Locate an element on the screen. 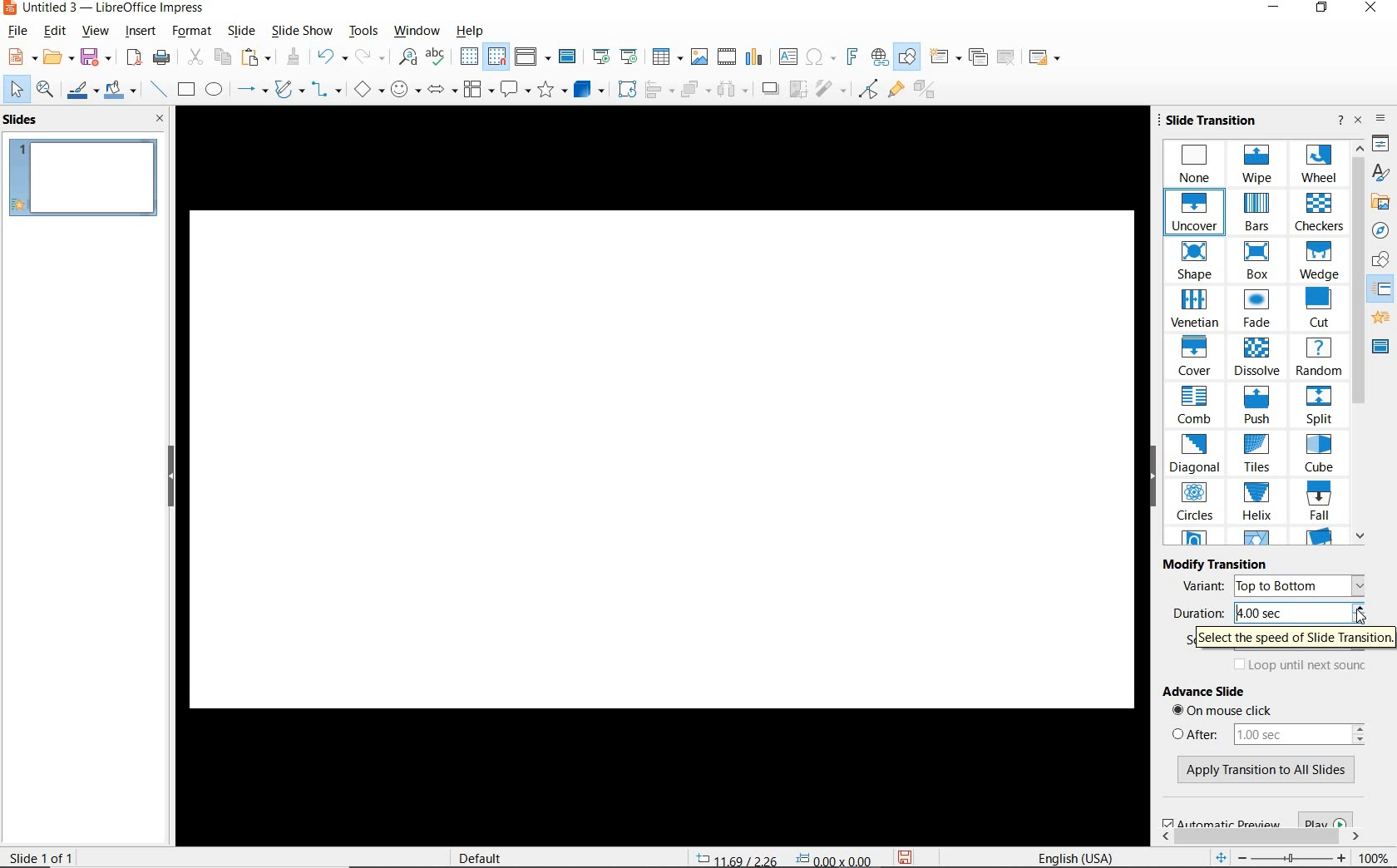 The height and width of the screenshot is (868, 1397). HELIX is located at coordinates (1256, 503).